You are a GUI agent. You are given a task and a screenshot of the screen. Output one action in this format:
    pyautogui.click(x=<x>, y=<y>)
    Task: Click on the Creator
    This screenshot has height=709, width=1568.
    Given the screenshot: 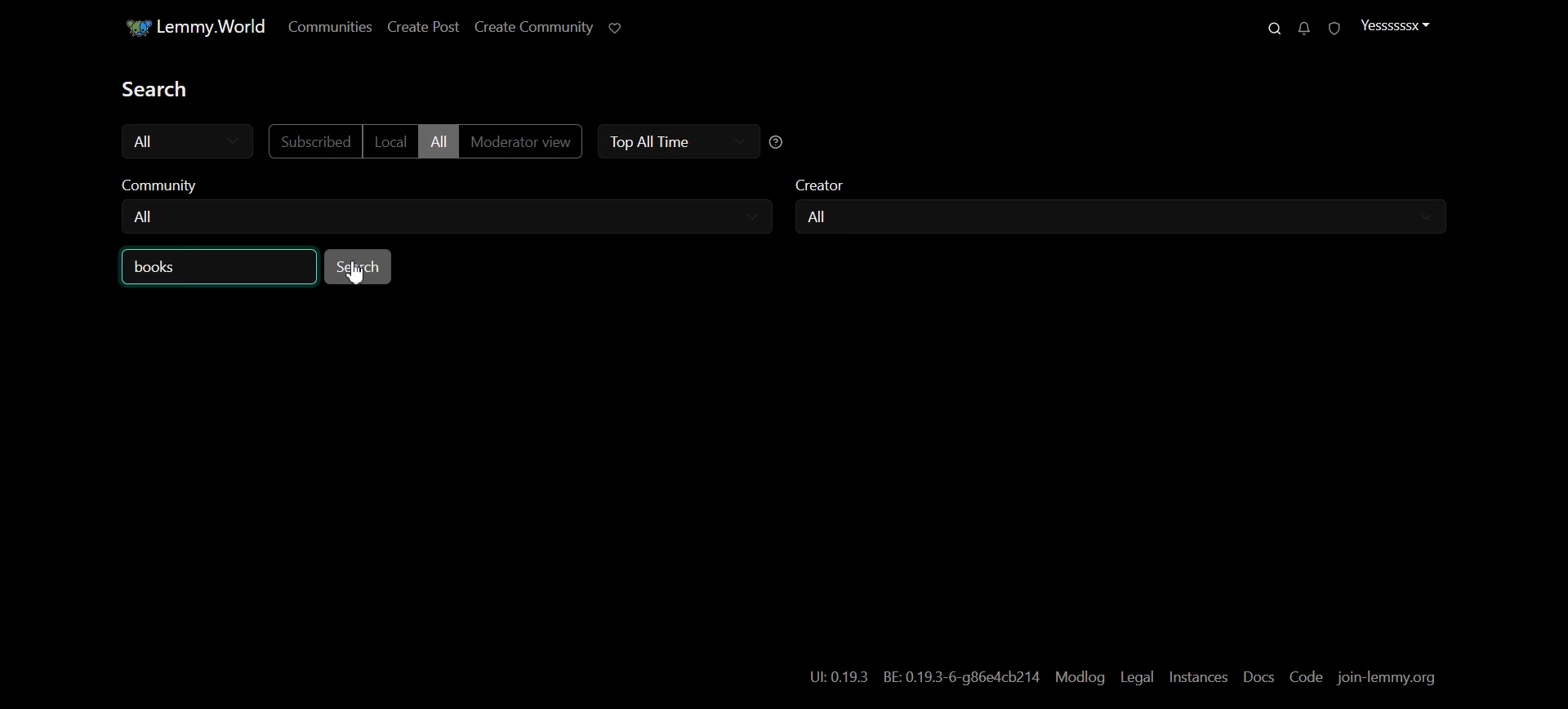 What is the action you would take?
    pyautogui.click(x=1123, y=216)
    